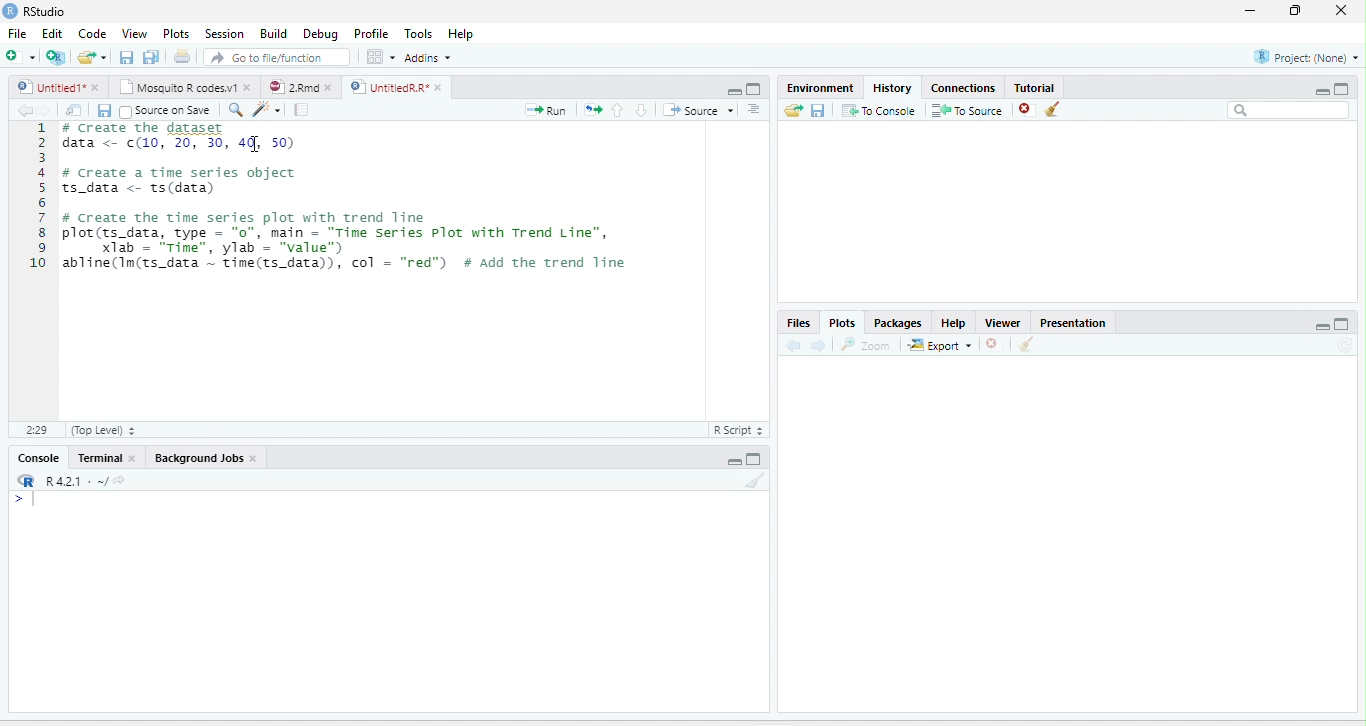  What do you see at coordinates (388, 87) in the screenshot?
I see `UntitledR.R*` at bounding box center [388, 87].